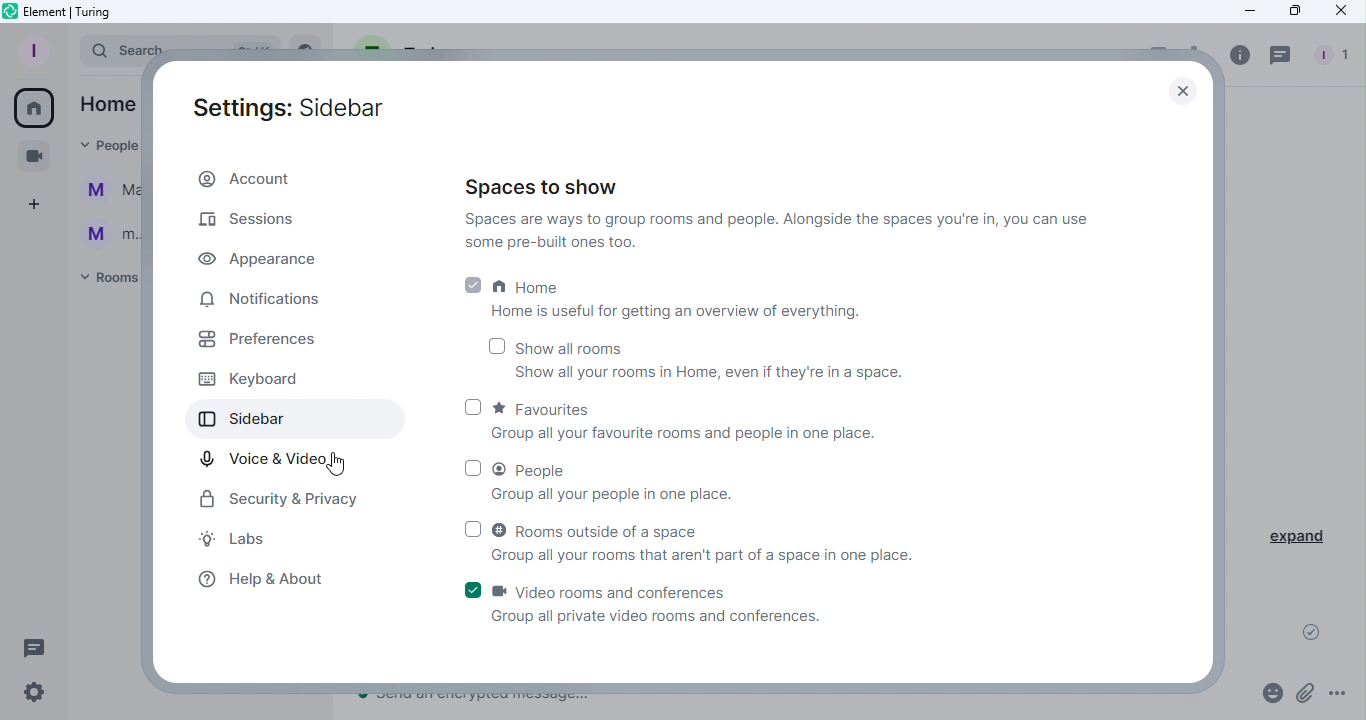 The width and height of the screenshot is (1366, 720). I want to click on Spaces to show, so click(782, 213).